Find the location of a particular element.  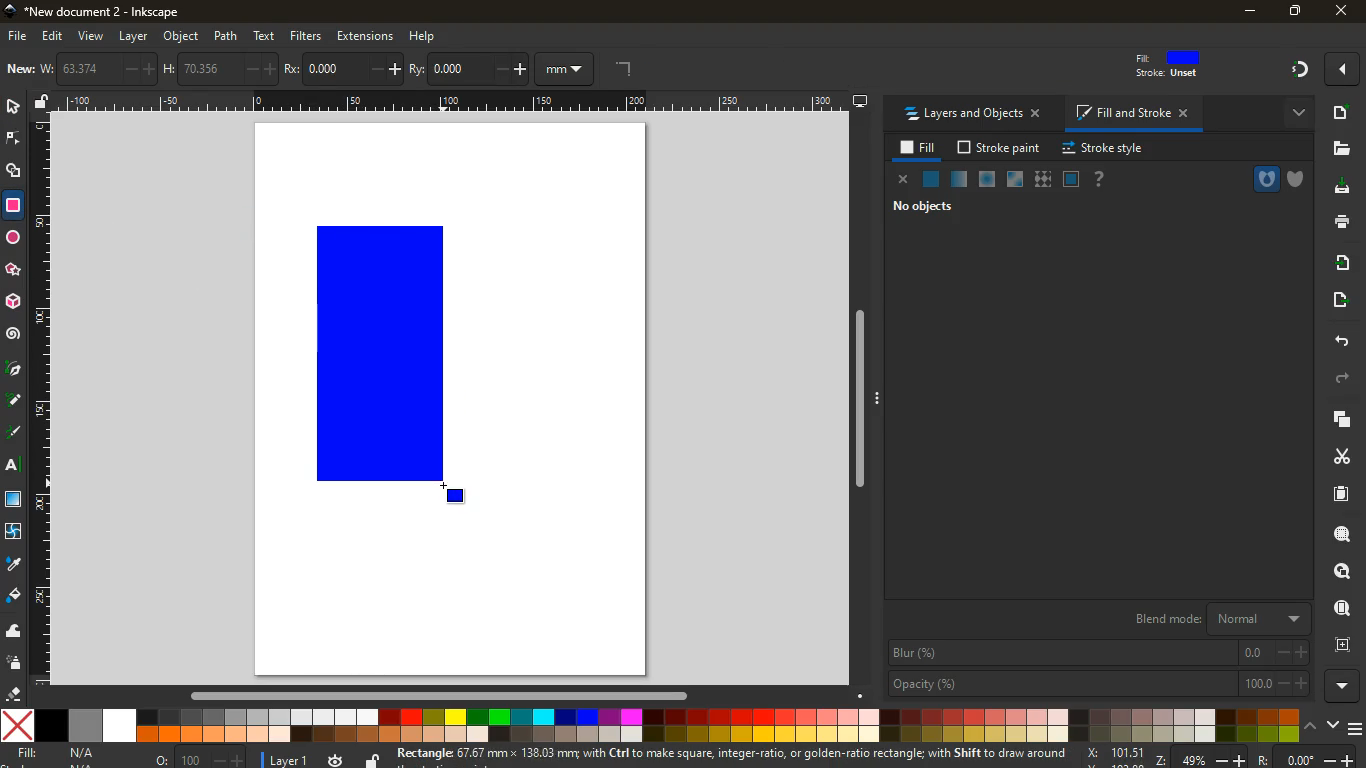

h is located at coordinates (222, 69).